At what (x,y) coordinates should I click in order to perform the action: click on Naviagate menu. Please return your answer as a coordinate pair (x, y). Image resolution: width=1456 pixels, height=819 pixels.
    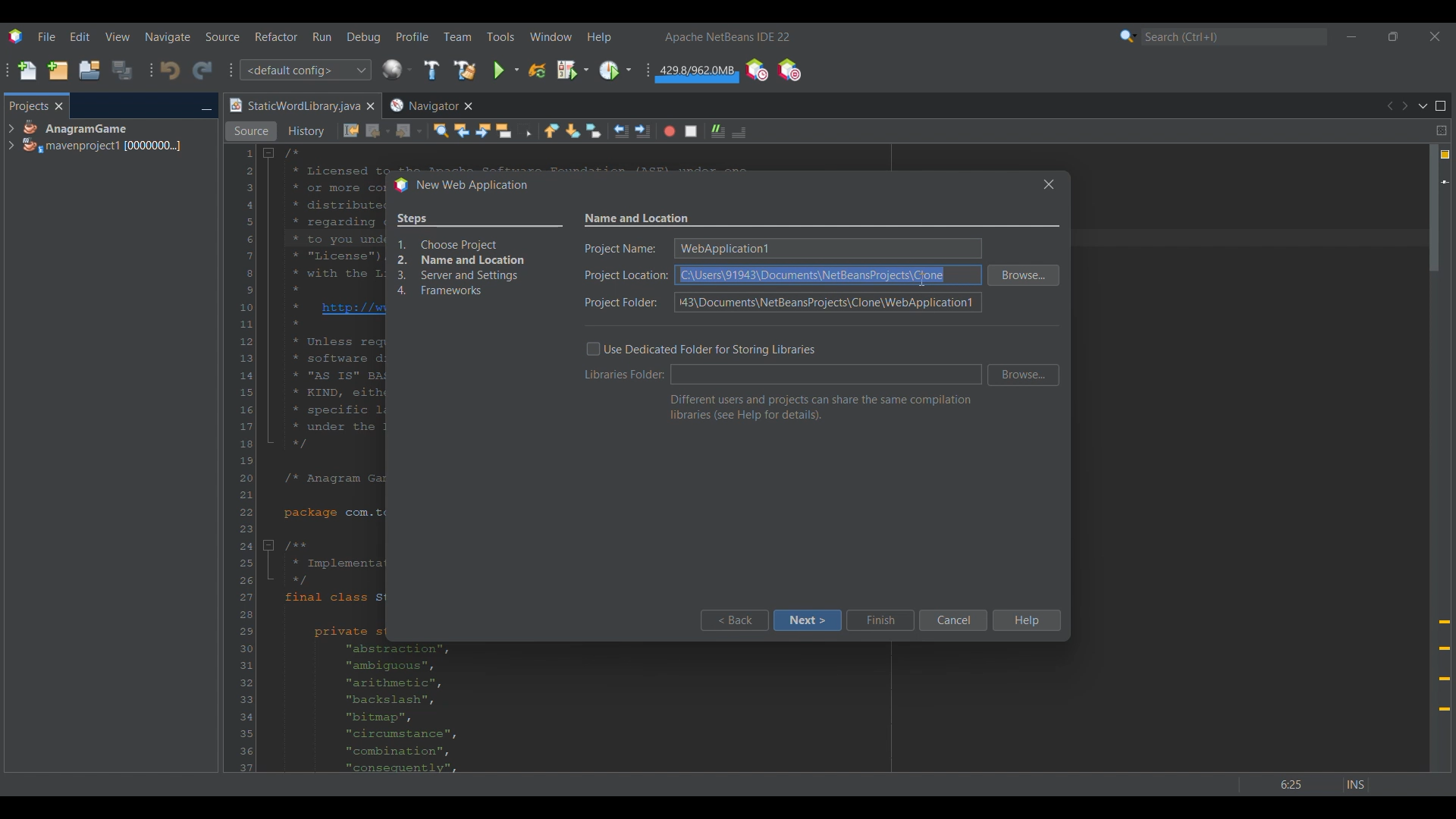
    Looking at the image, I should click on (168, 37).